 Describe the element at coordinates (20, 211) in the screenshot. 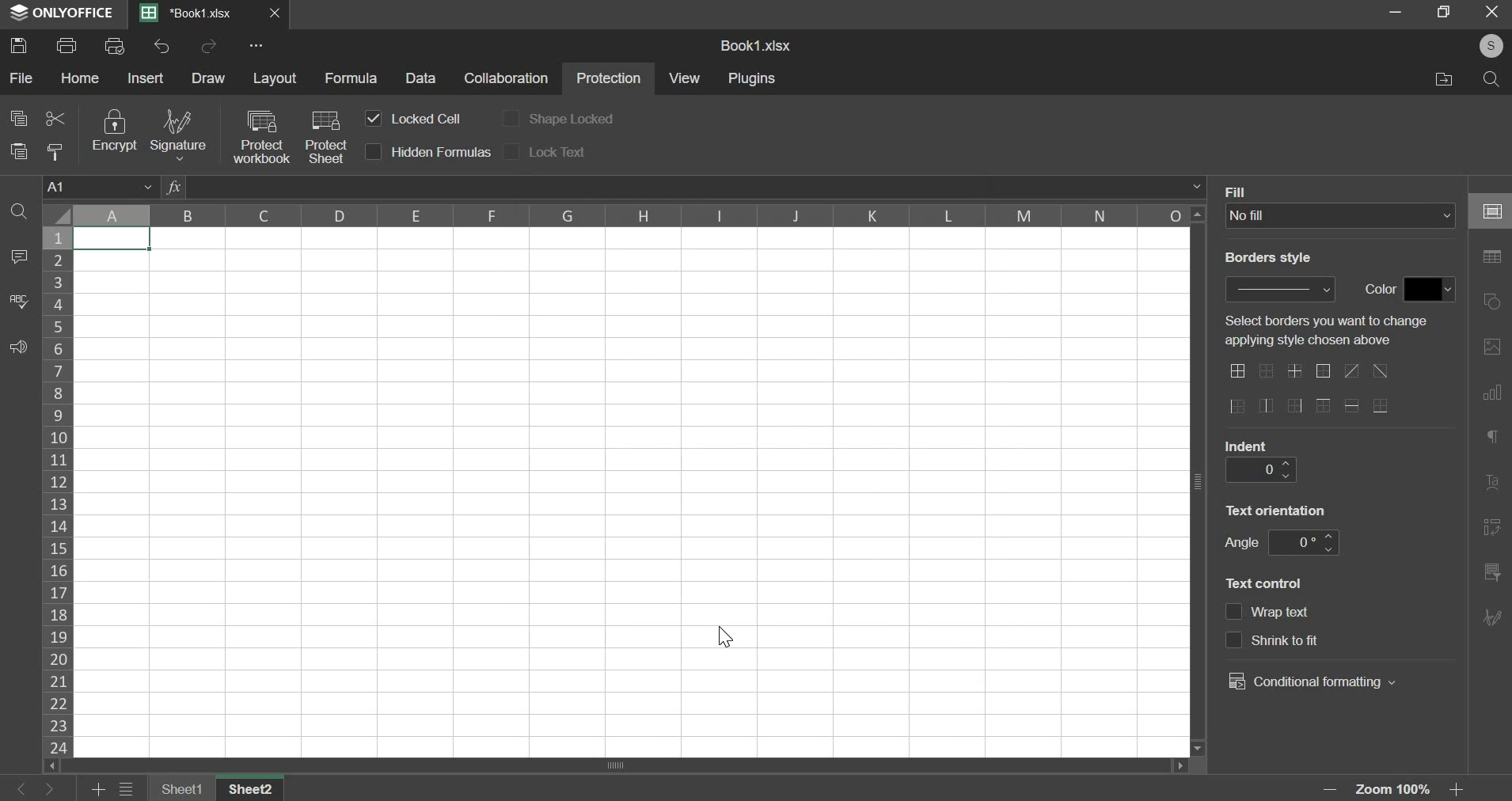

I see `find` at that location.